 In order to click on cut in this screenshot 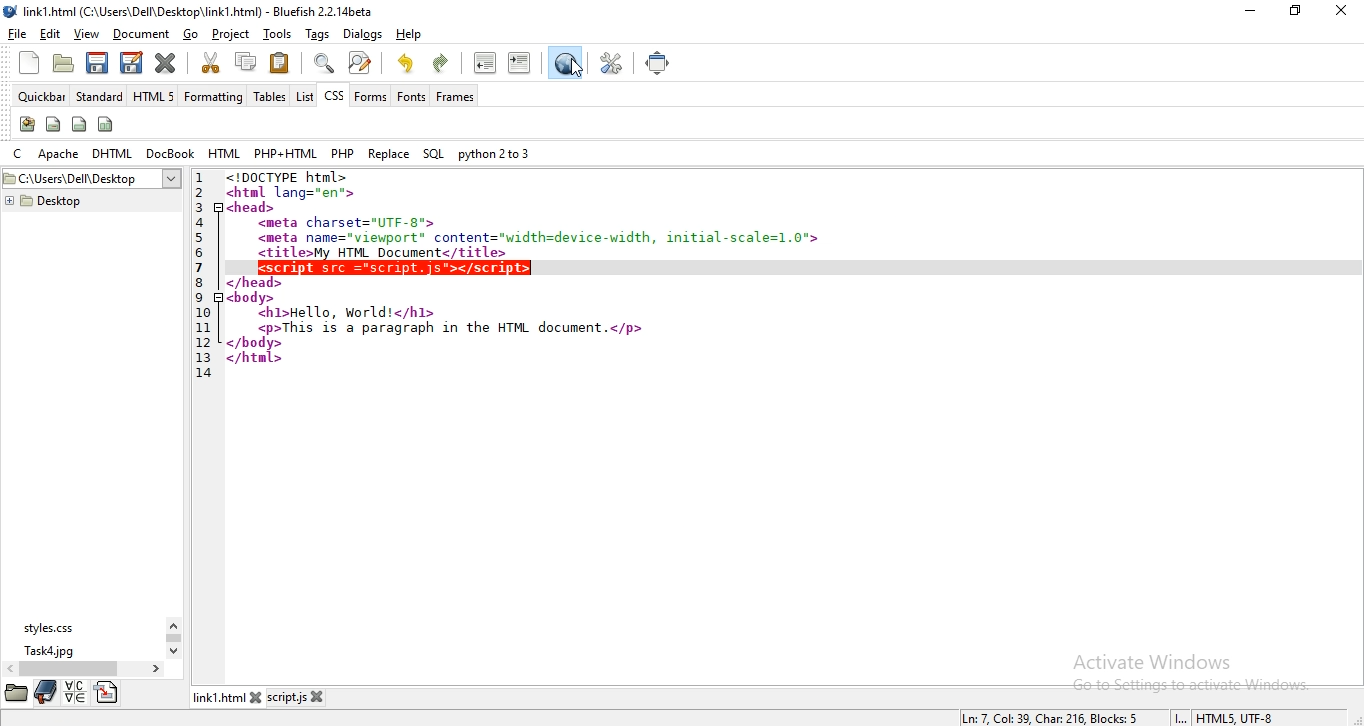, I will do `click(210, 61)`.